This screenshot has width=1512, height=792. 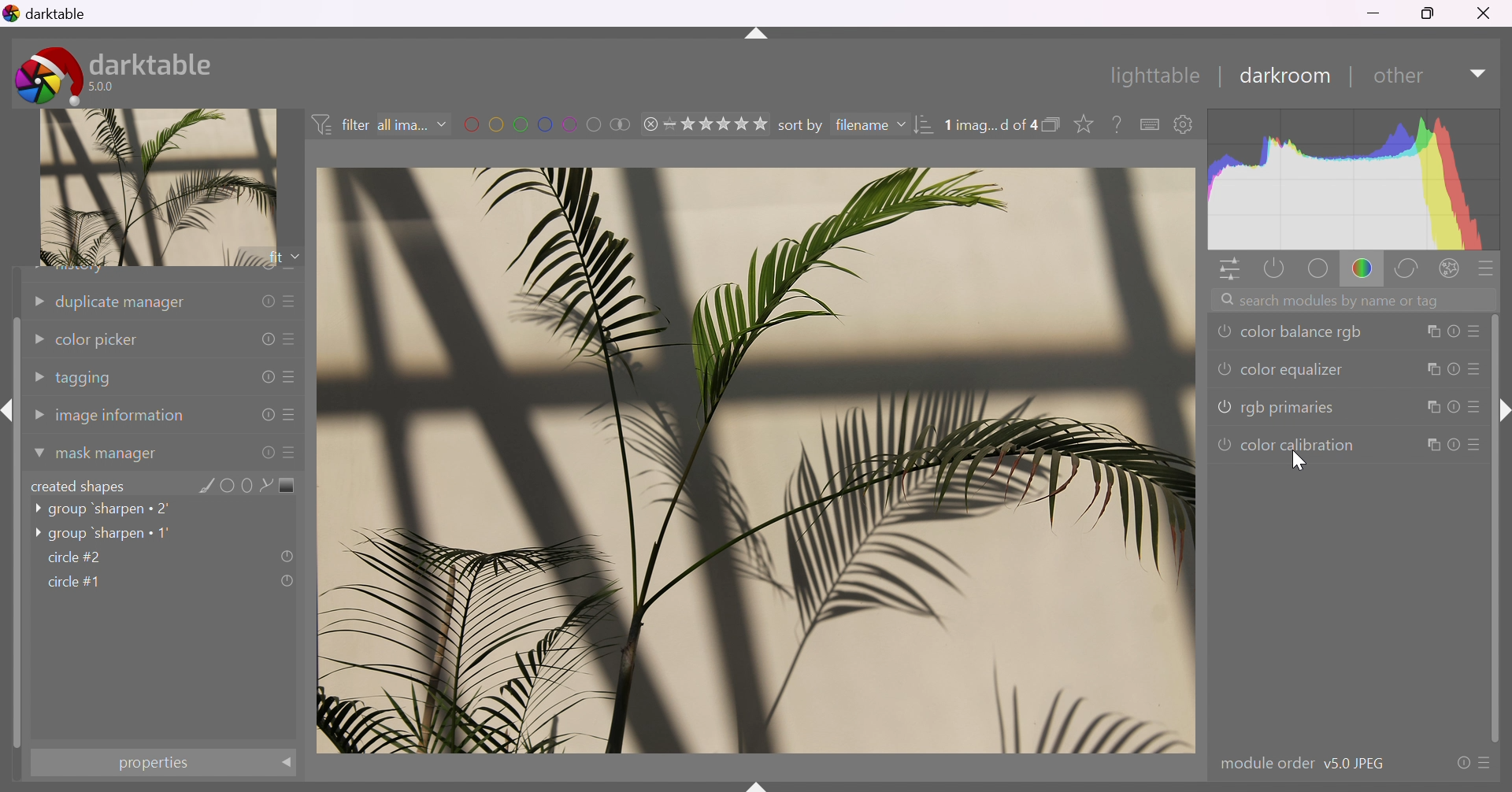 I want to click on color picker, so click(x=163, y=341).